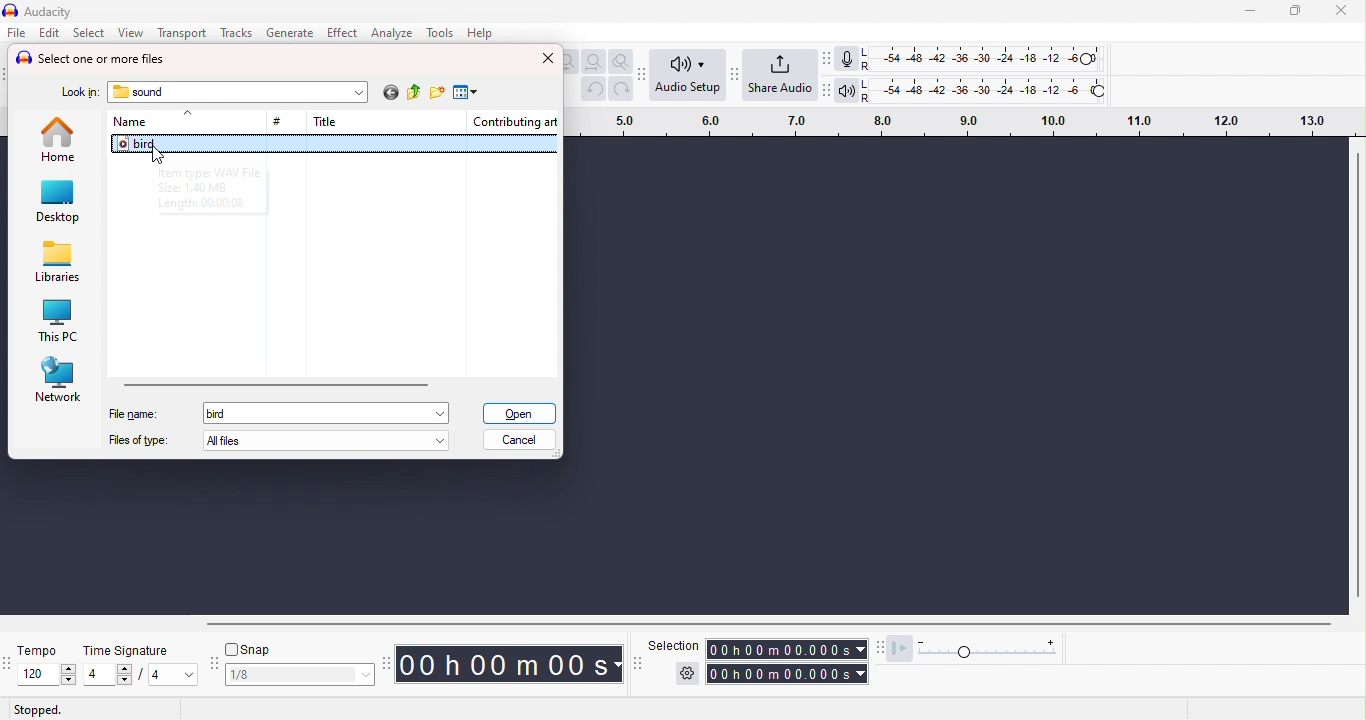  What do you see at coordinates (59, 379) in the screenshot?
I see `network` at bounding box center [59, 379].